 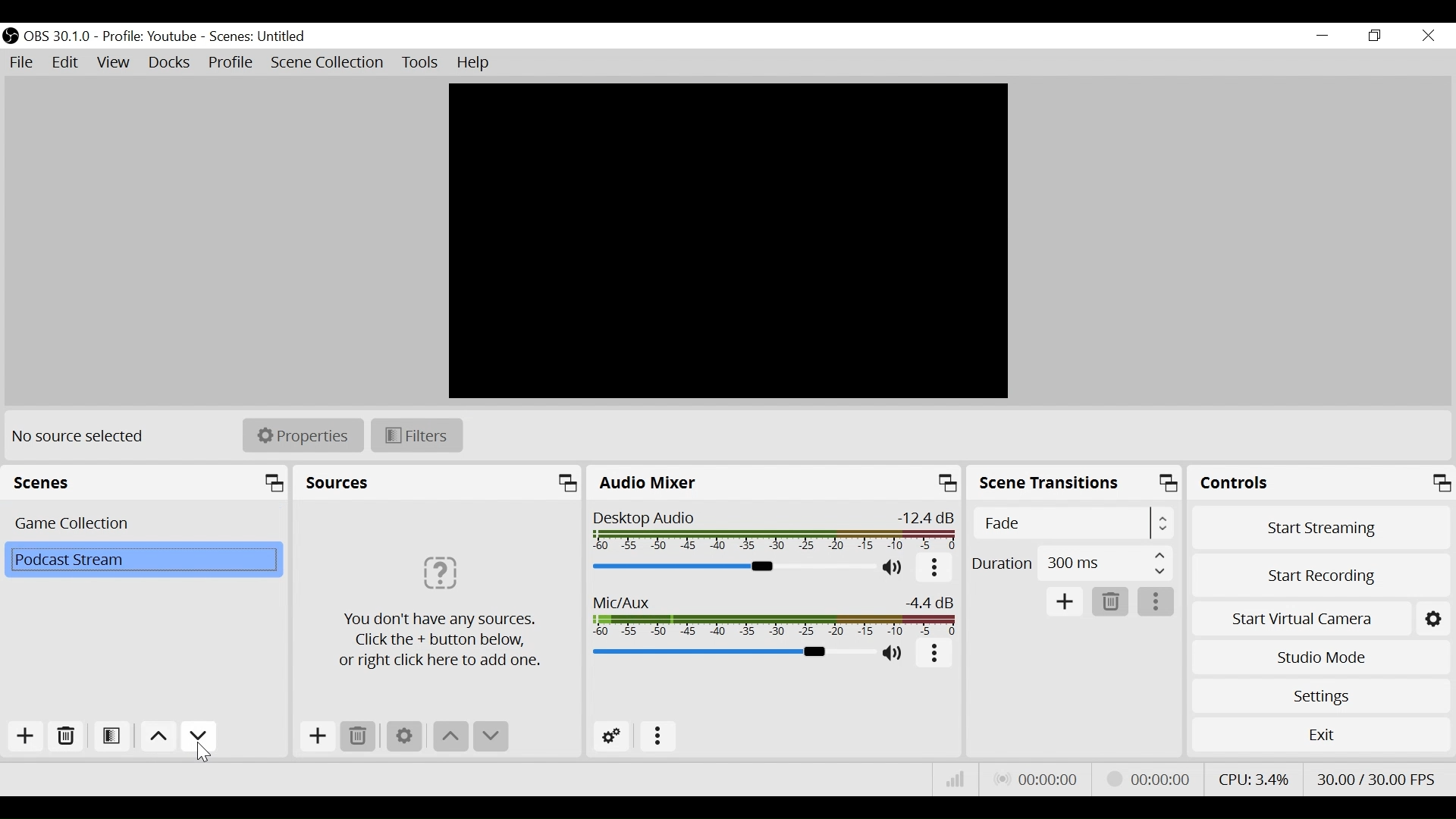 I want to click on Profile, so click(x=231, y=64).